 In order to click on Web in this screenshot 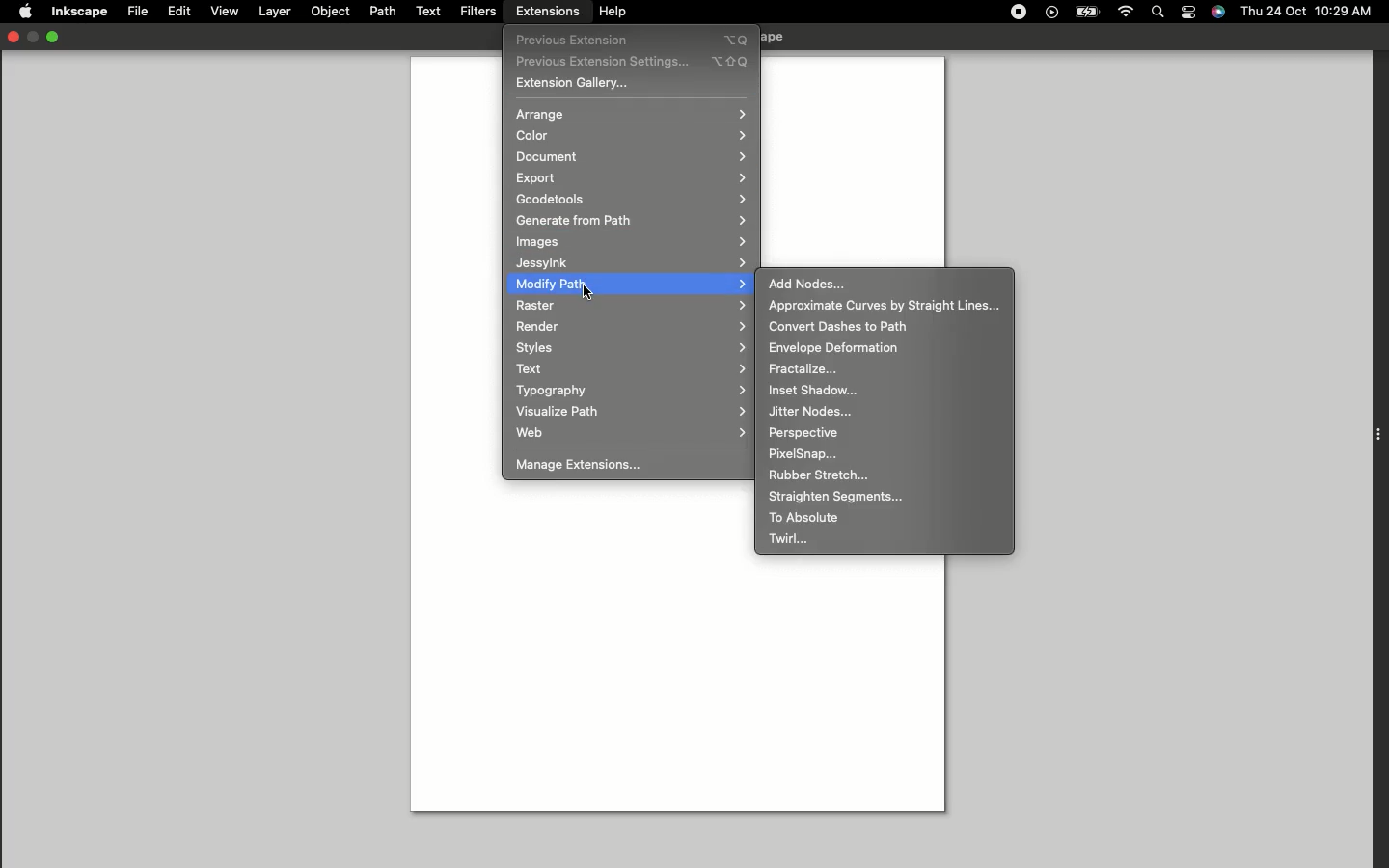, I will do `click(629, 433)`.